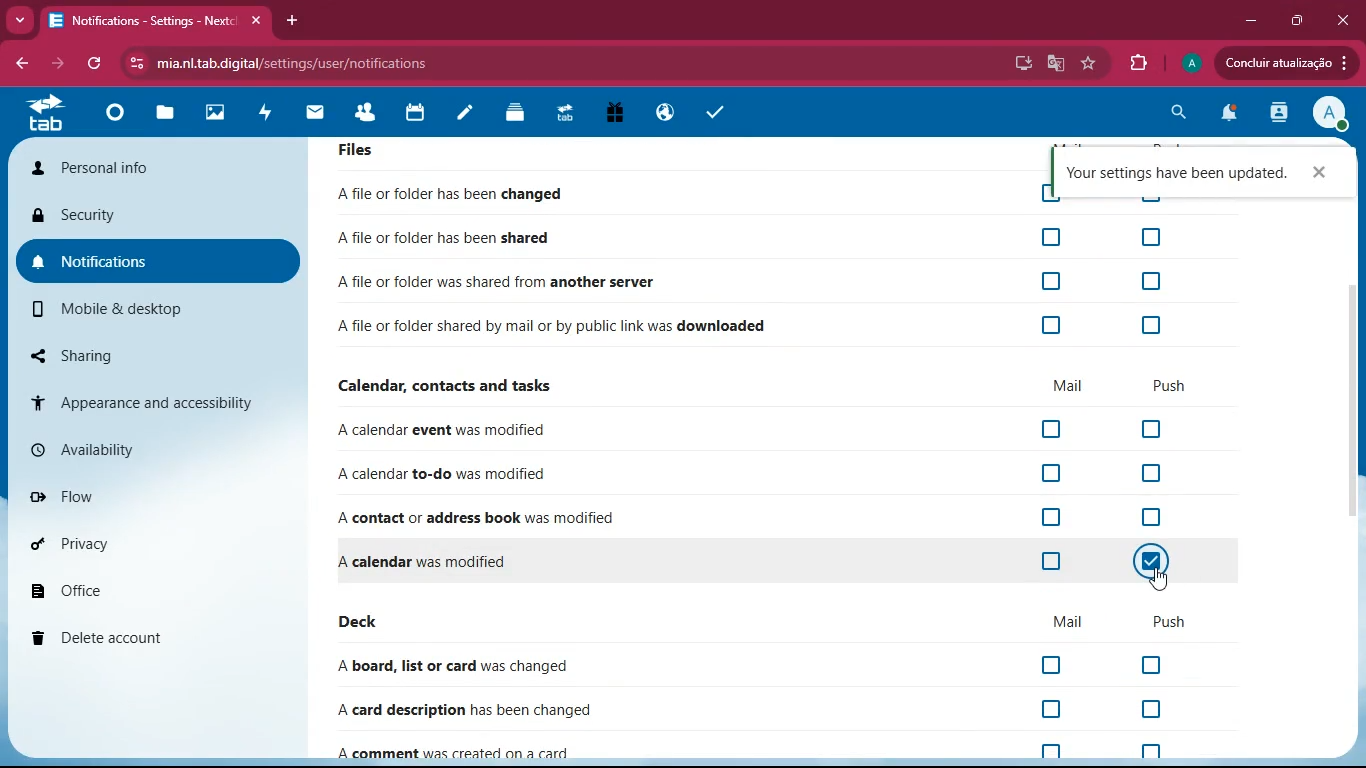 This screenshot has height=768, width=1366. What do you see at coordinates (322, 115) in the screenshot?
I see `mail` at bounding box center [322, 115].